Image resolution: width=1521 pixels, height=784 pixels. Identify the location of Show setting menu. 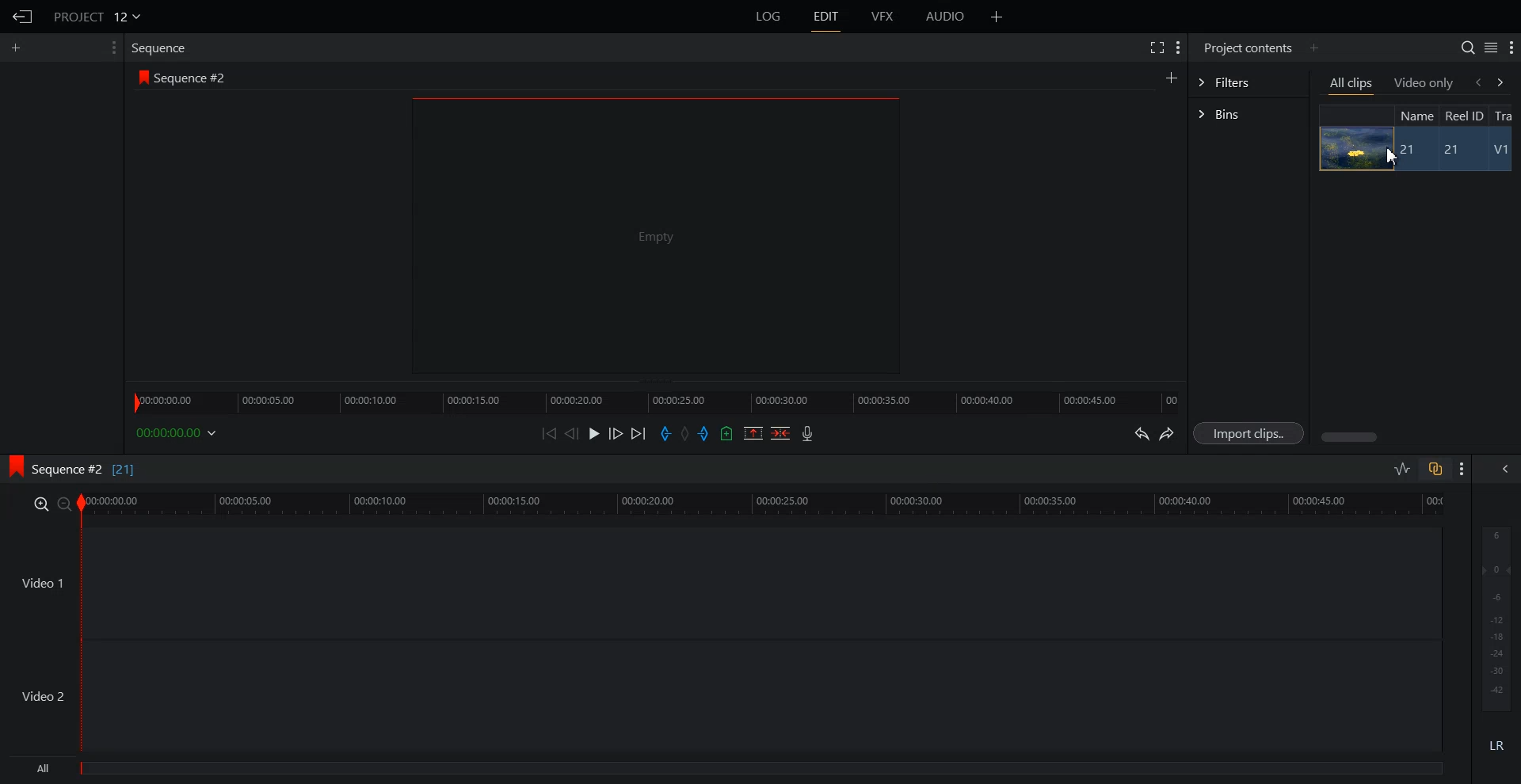
(1178, 48).